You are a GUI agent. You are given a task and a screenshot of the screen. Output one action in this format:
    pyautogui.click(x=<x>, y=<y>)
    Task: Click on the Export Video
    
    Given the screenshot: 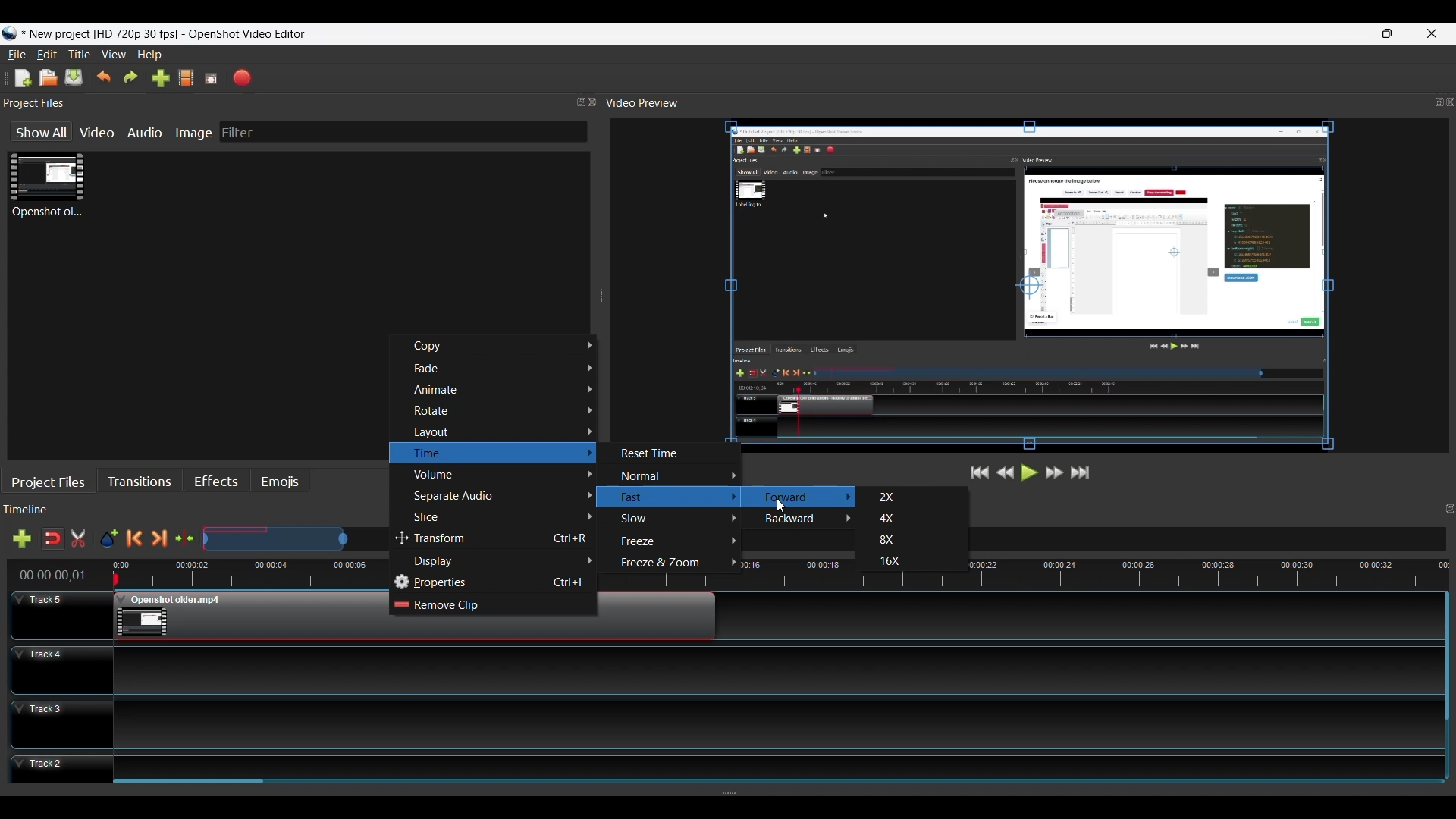 What is the action you would take?
    pyautogui.click(x=243, y=78)
    